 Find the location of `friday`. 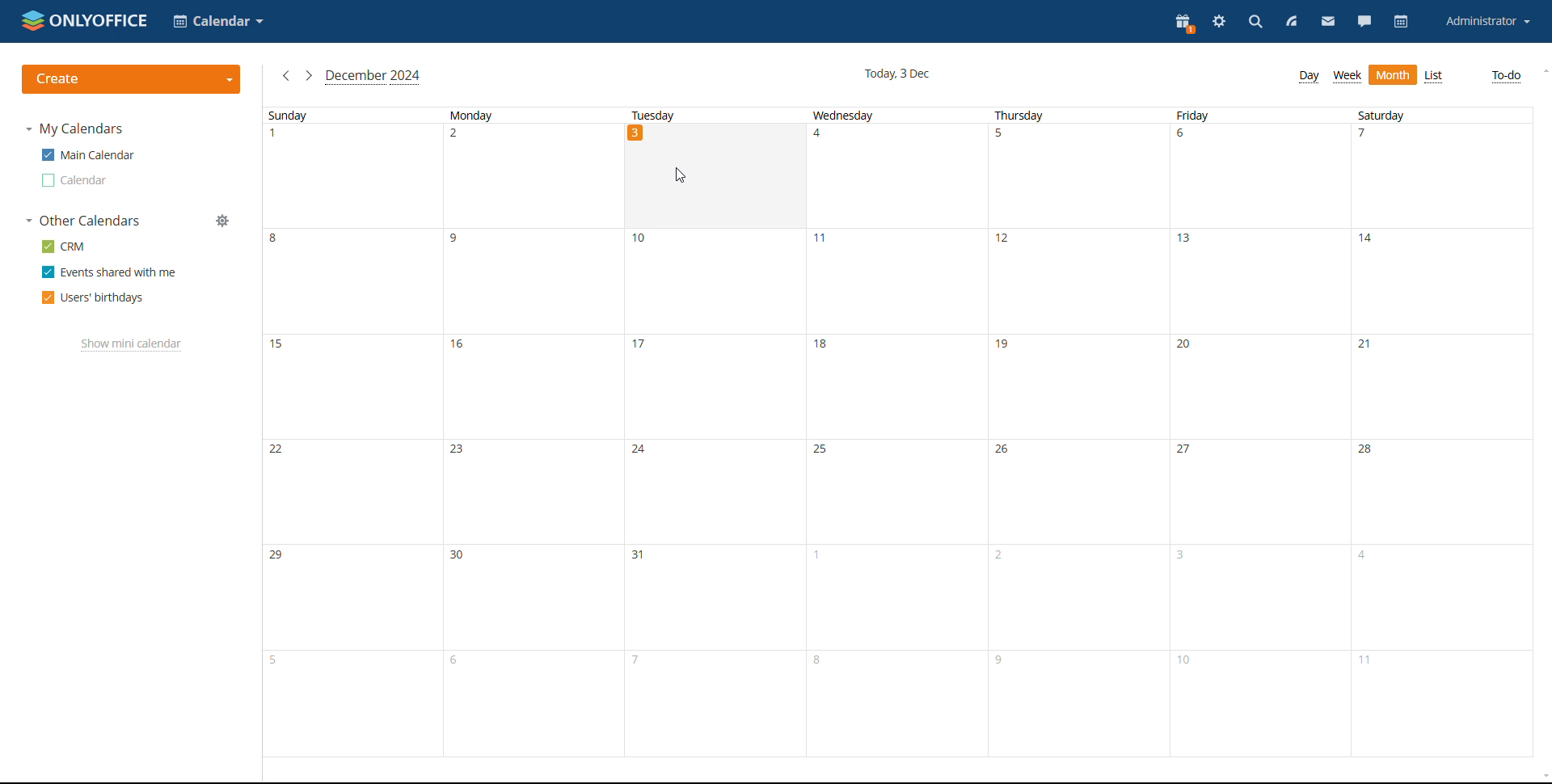

friday is located at coordinates (1259, 432).